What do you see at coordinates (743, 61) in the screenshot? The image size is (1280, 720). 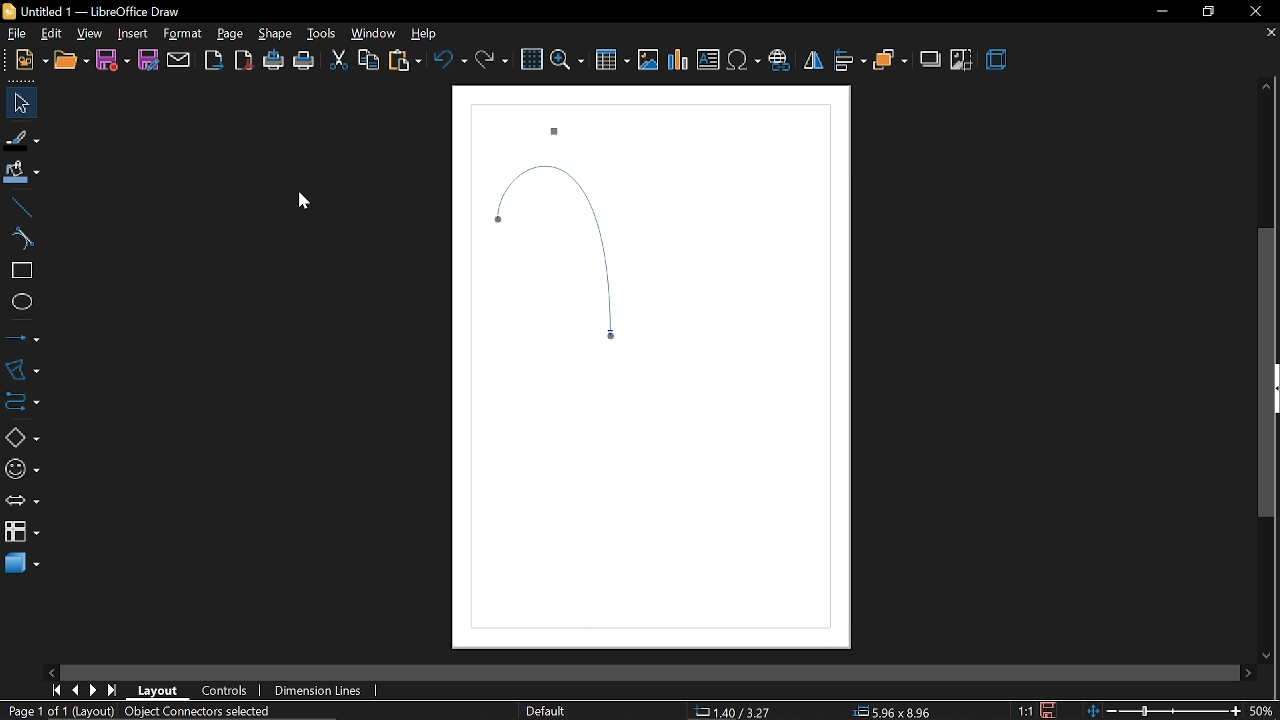 I see `Insert symbol` at bounding box center [743, 61].